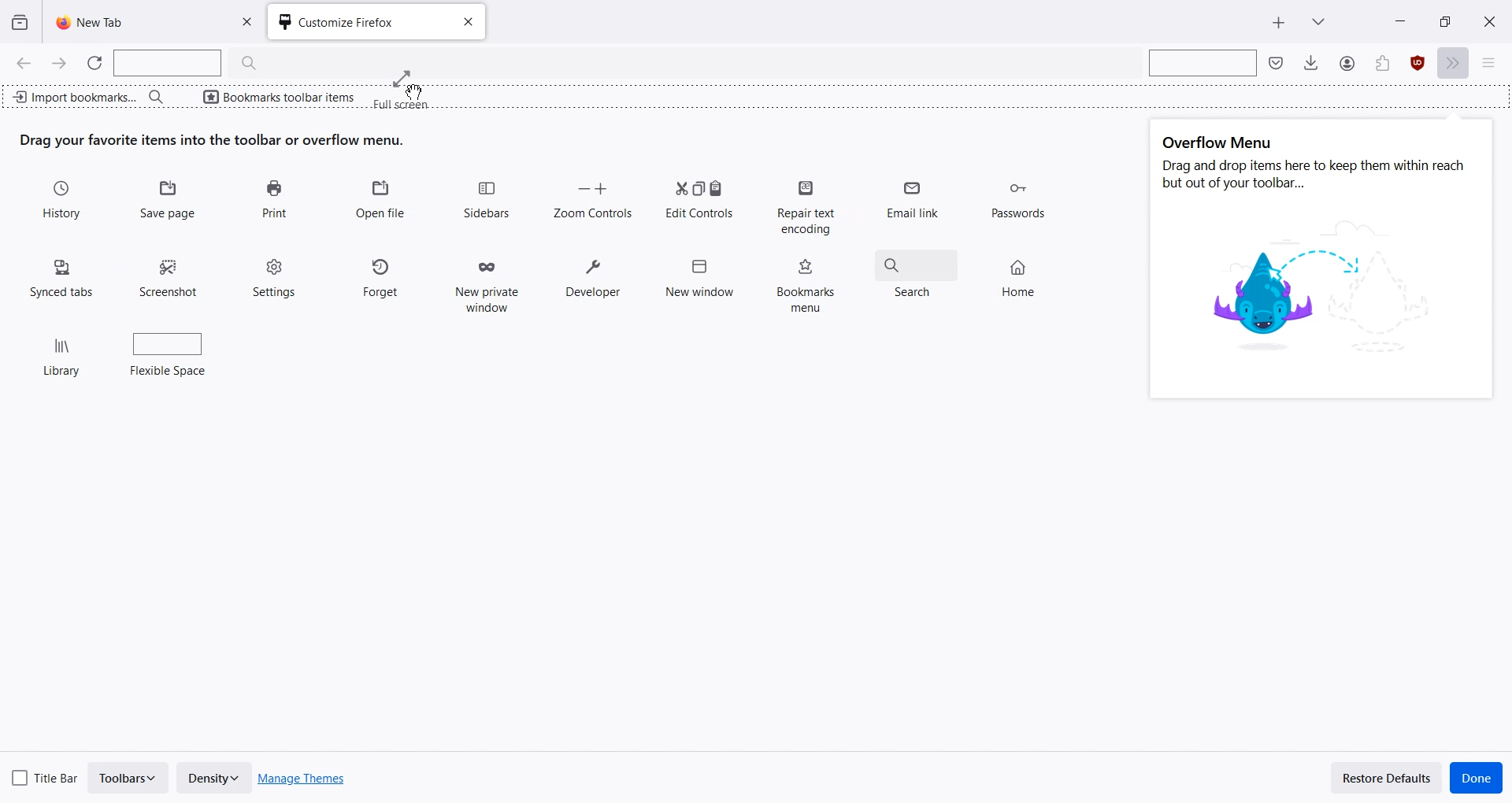  What do you see at coordinates (1017, 202) in the screenshot?
I see `Passwords` at bounding box center [1017, 202].